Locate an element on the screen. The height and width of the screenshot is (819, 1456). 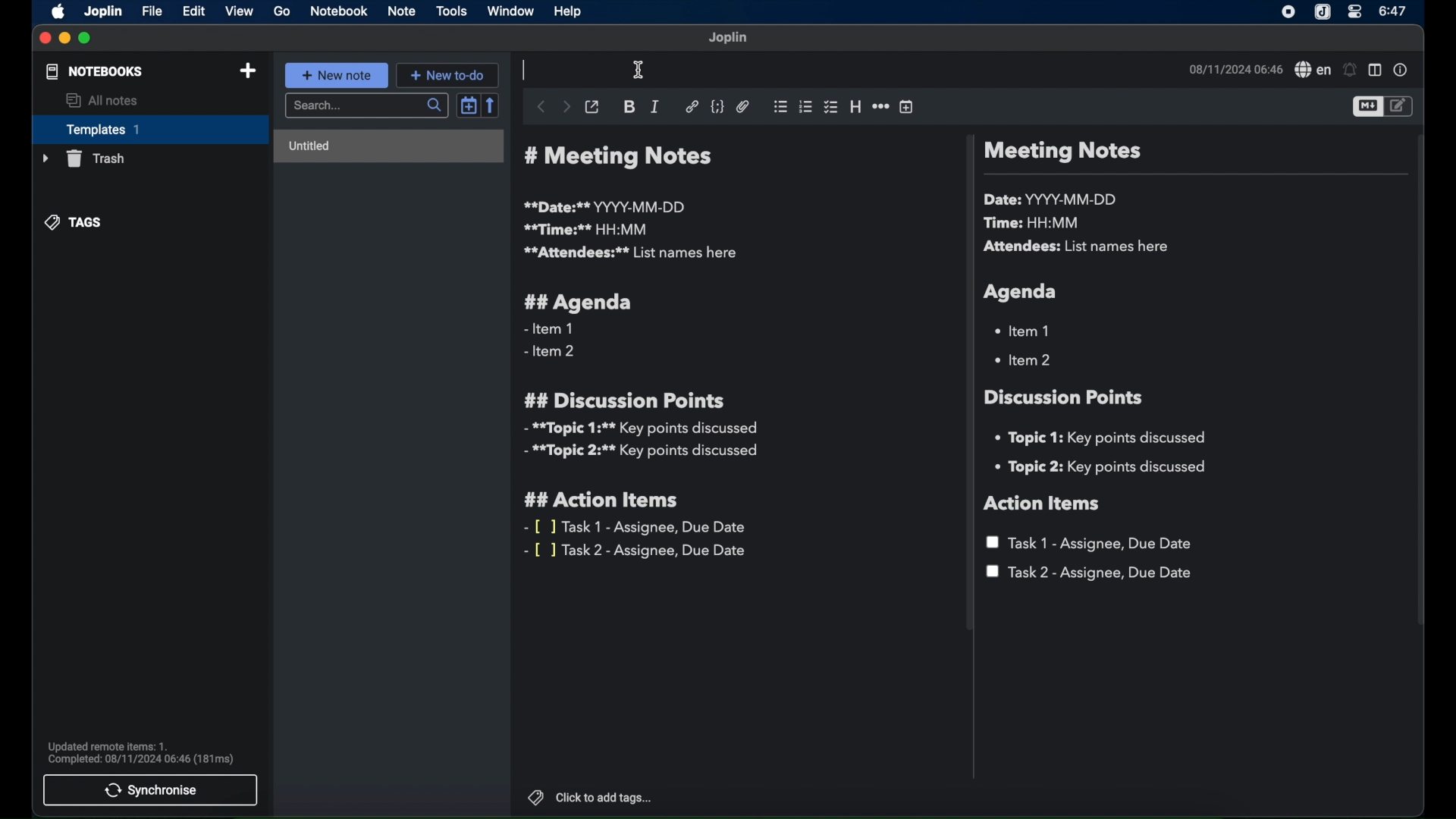
attendees: list names here is located at coordinates (1079, 247).